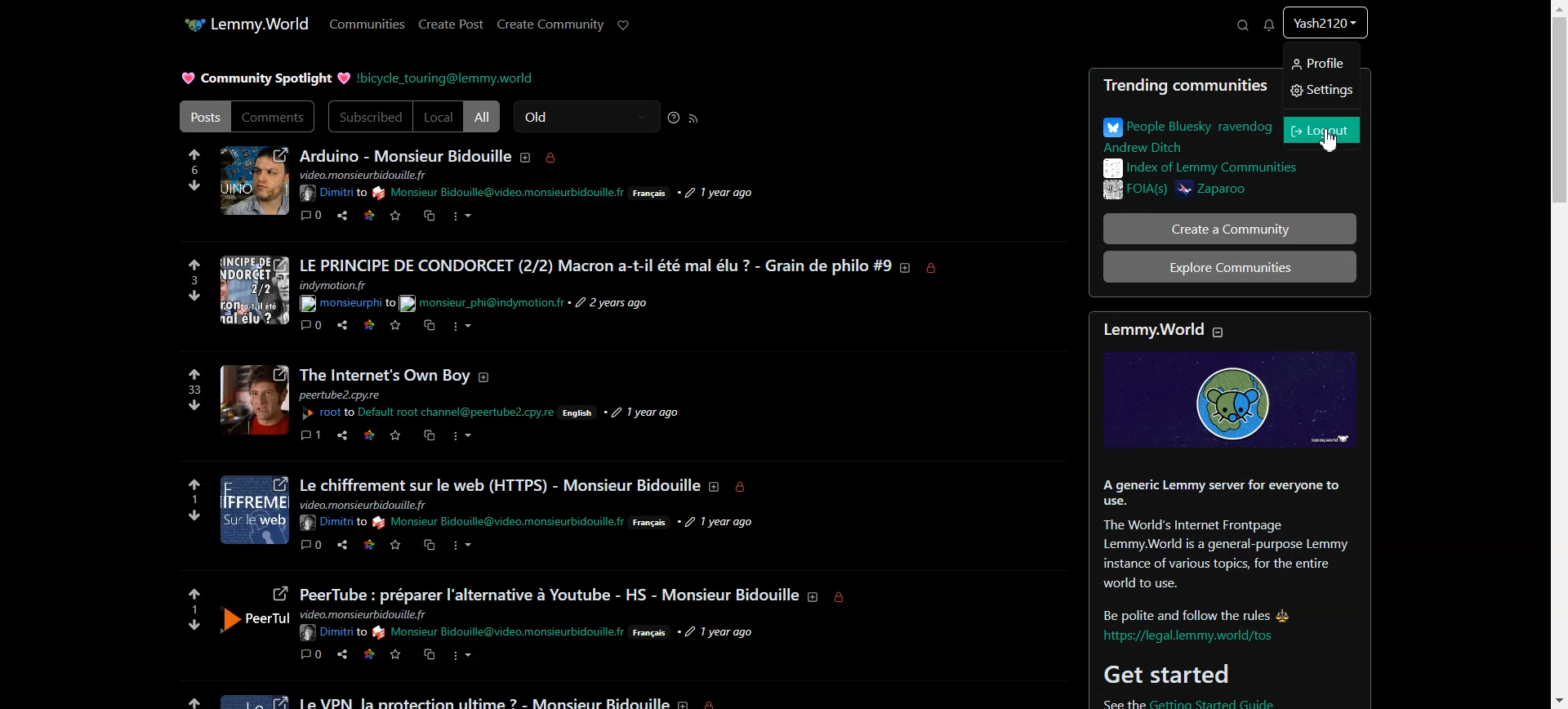 The image size is (1568, 709). What do you see at coordinates (183, 25) in the screenshot?
I see `Application icon` at bounding box center [183, 25].